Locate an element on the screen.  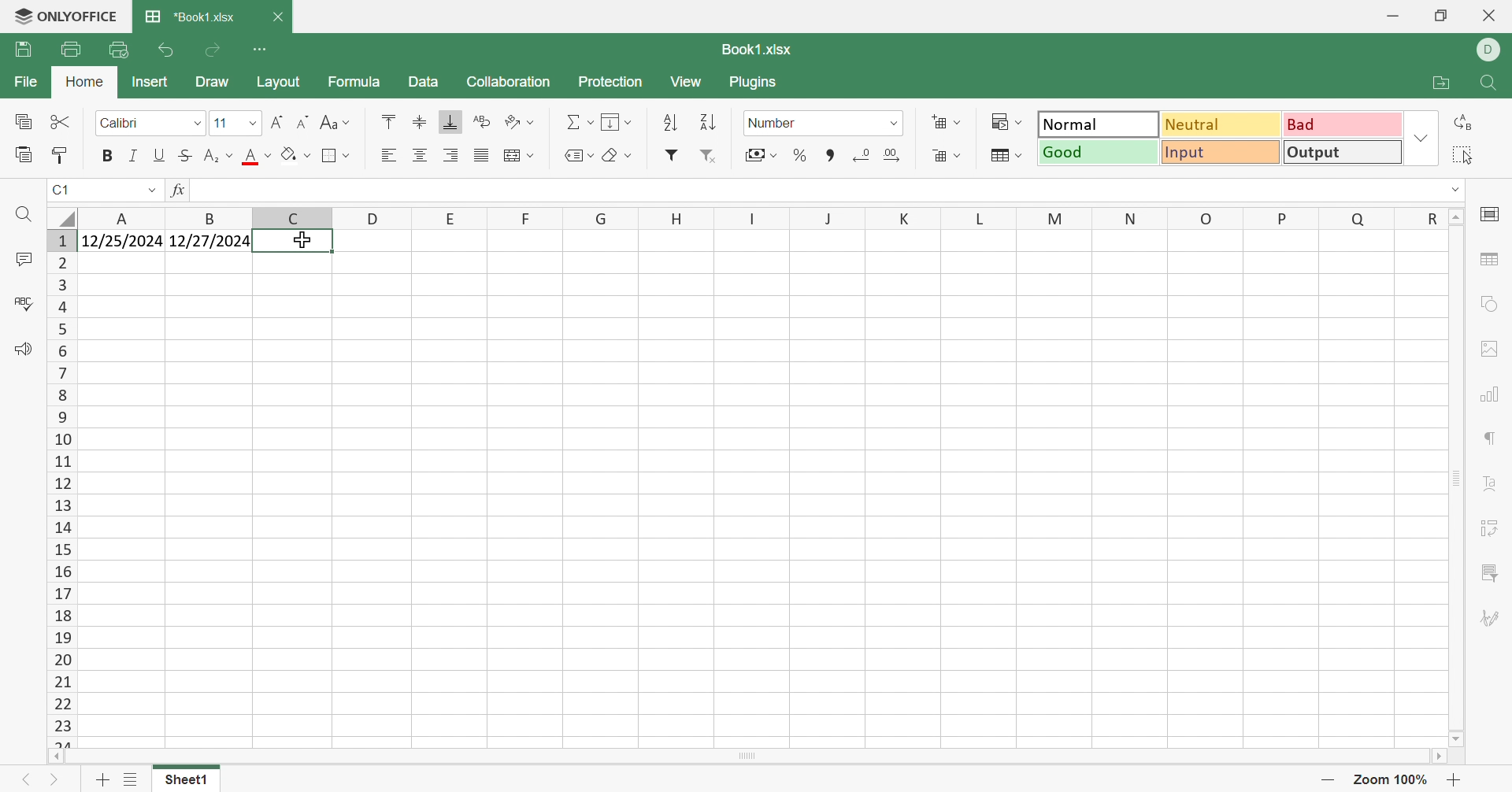
Align Middle is located at coordinates (420, 124).